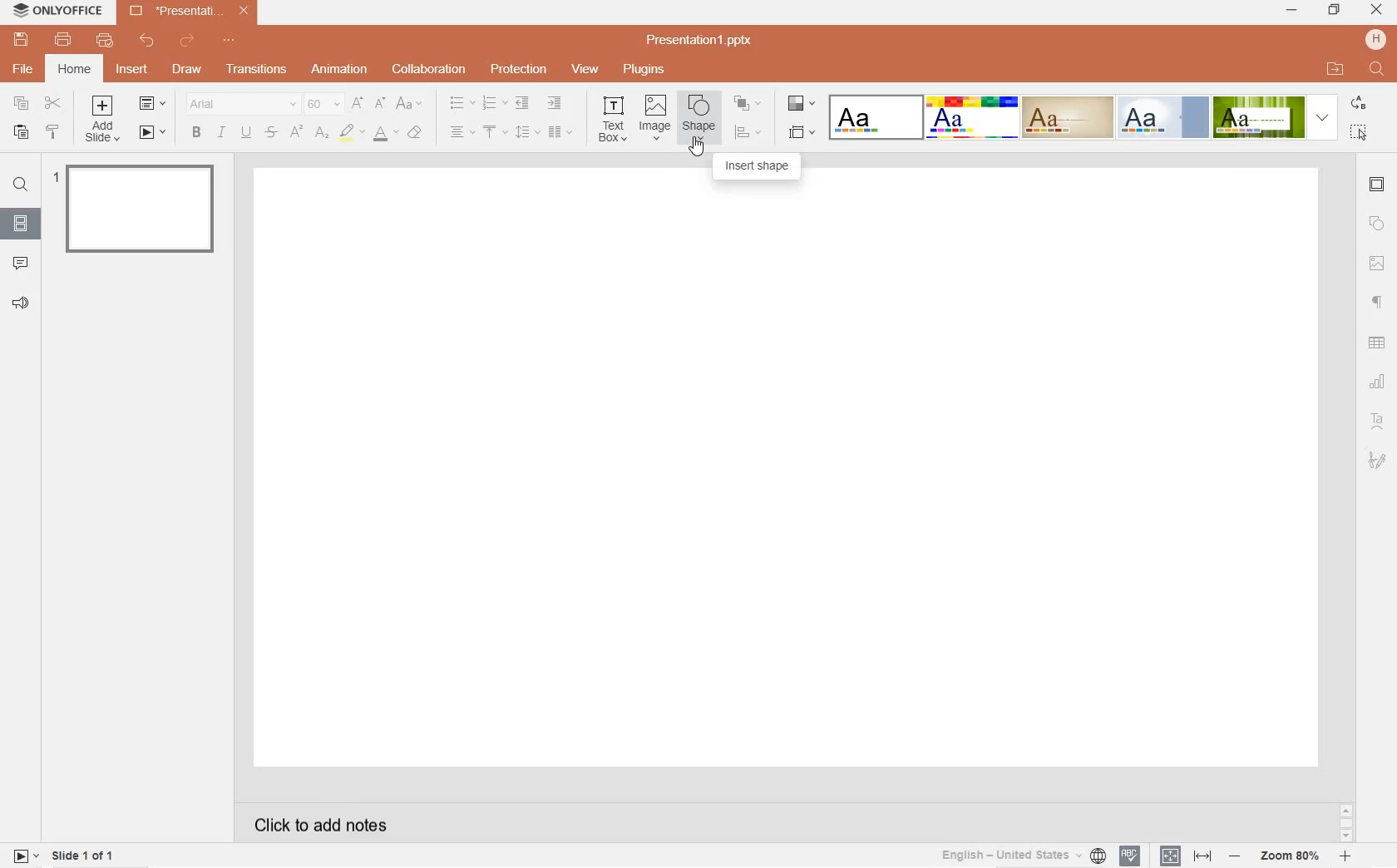 This screenshot has width=1397, height=868. Describe the element at coordinates (758, 166) in the screenshot. I see `insert shape` at that location.